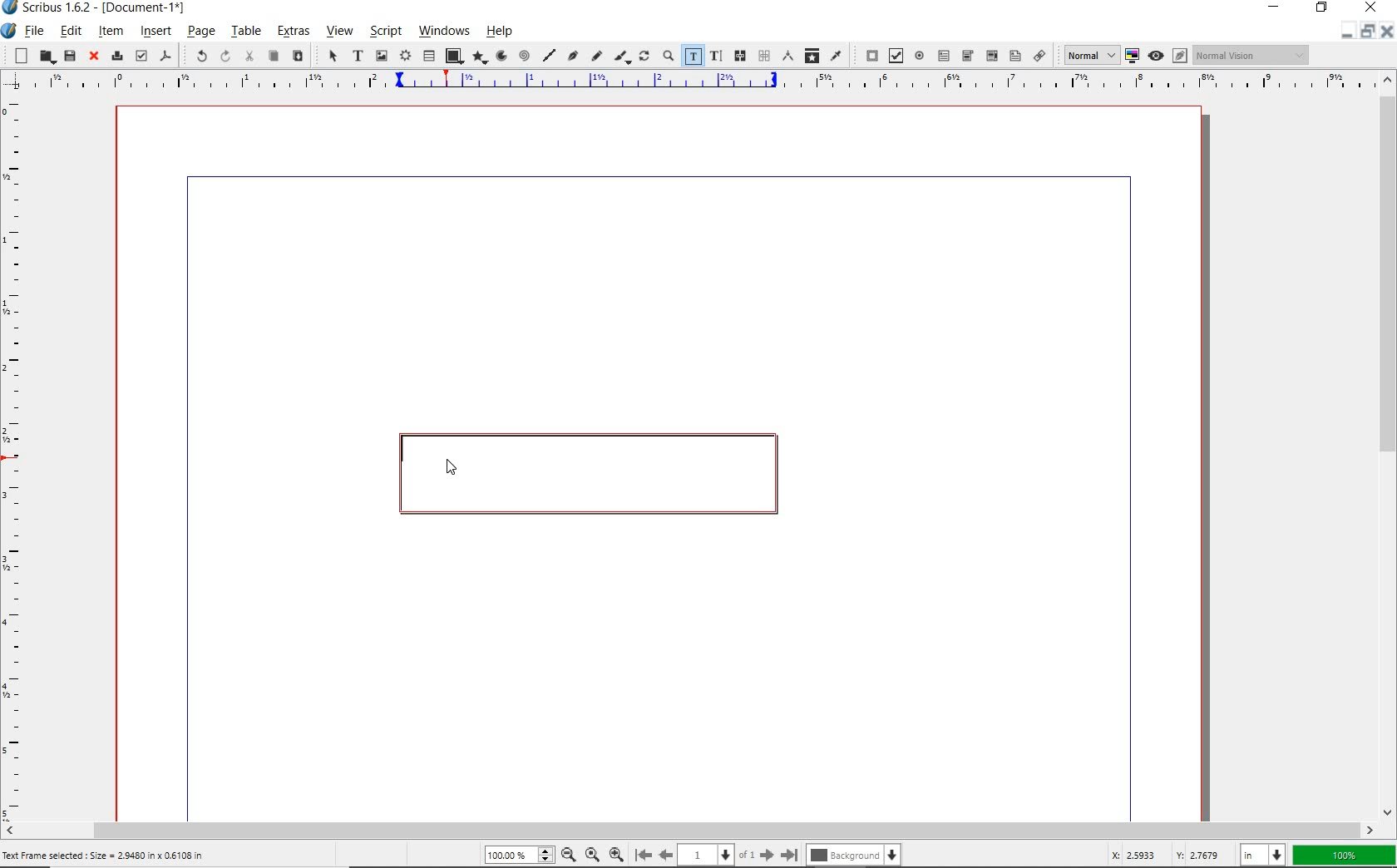 The width and height of the screenshot is (1397, 868). Describe the element at coordinates (1040, 55) in the screenshot. I see `link annotation` at that location.